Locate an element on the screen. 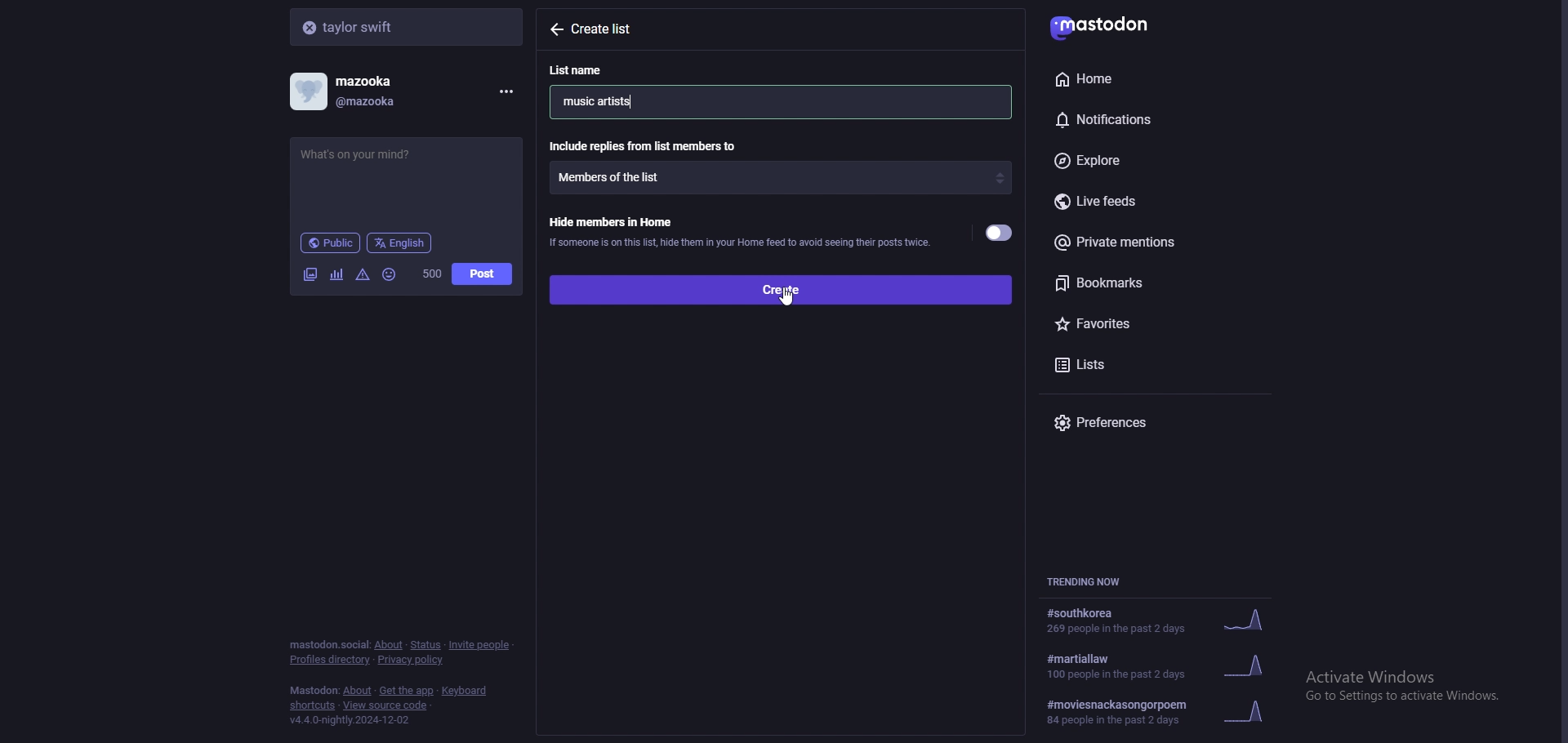 The height and width of the screenshot is (743, 1568). view source code is located at coordinates (385, 706).